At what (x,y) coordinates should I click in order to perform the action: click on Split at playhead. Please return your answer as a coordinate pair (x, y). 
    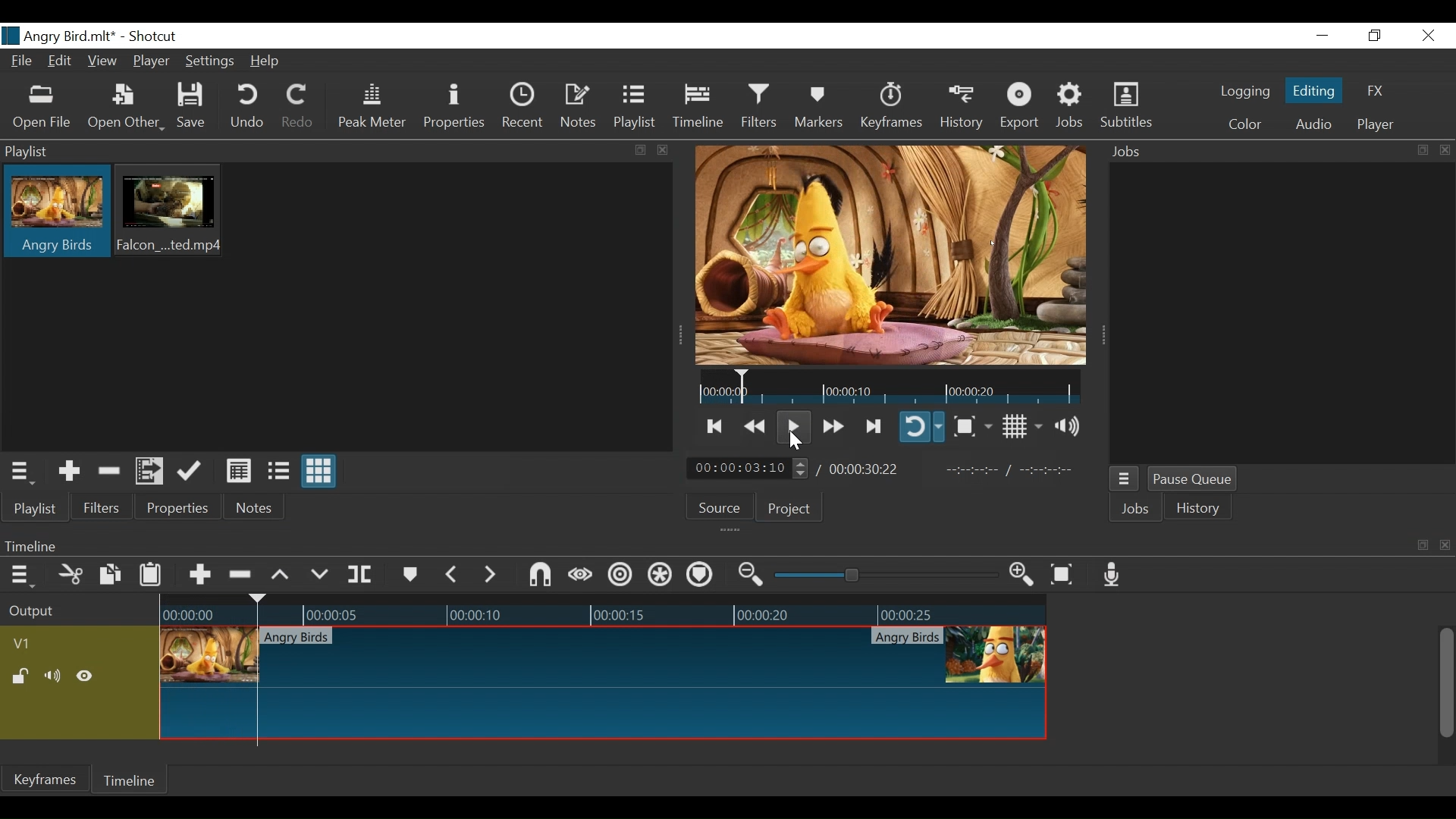
    Looking at the image, I should click on (366, 575).